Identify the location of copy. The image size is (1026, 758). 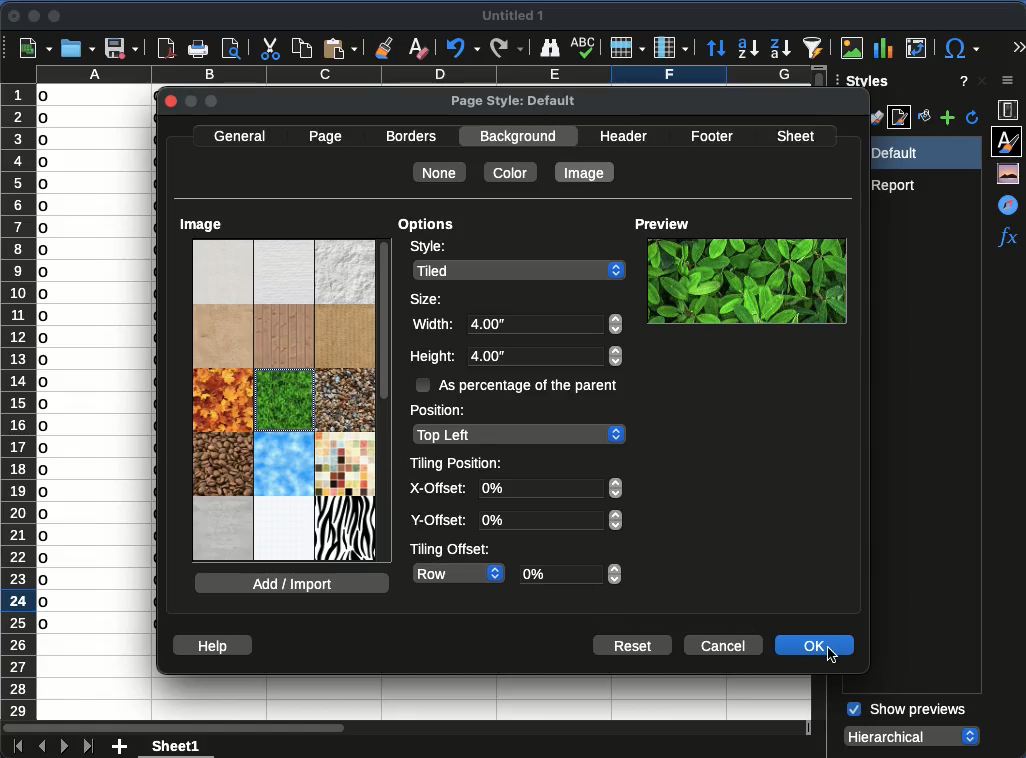
(301, 46).